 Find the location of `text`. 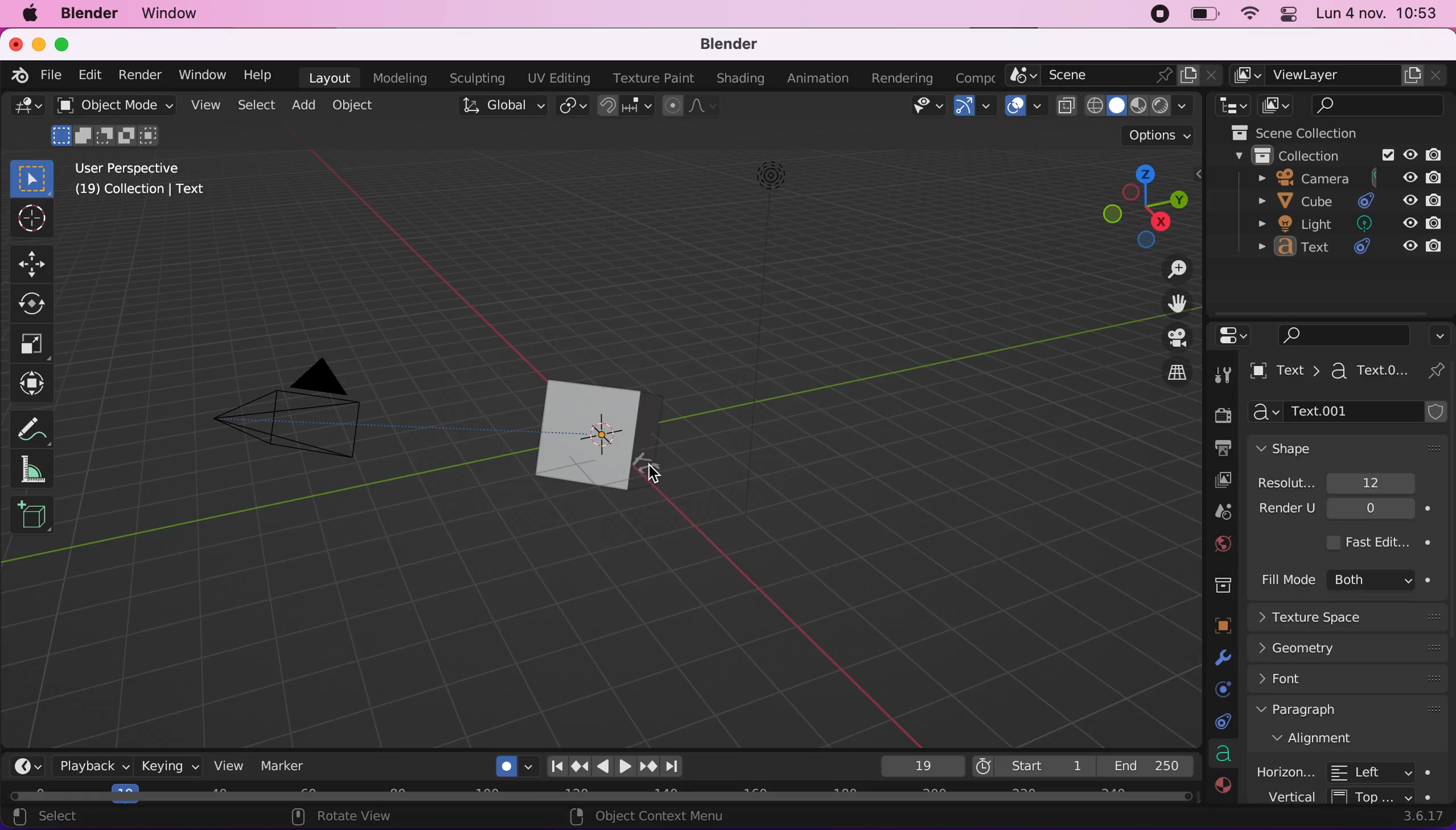

text is located at coordinates (1348, 249).